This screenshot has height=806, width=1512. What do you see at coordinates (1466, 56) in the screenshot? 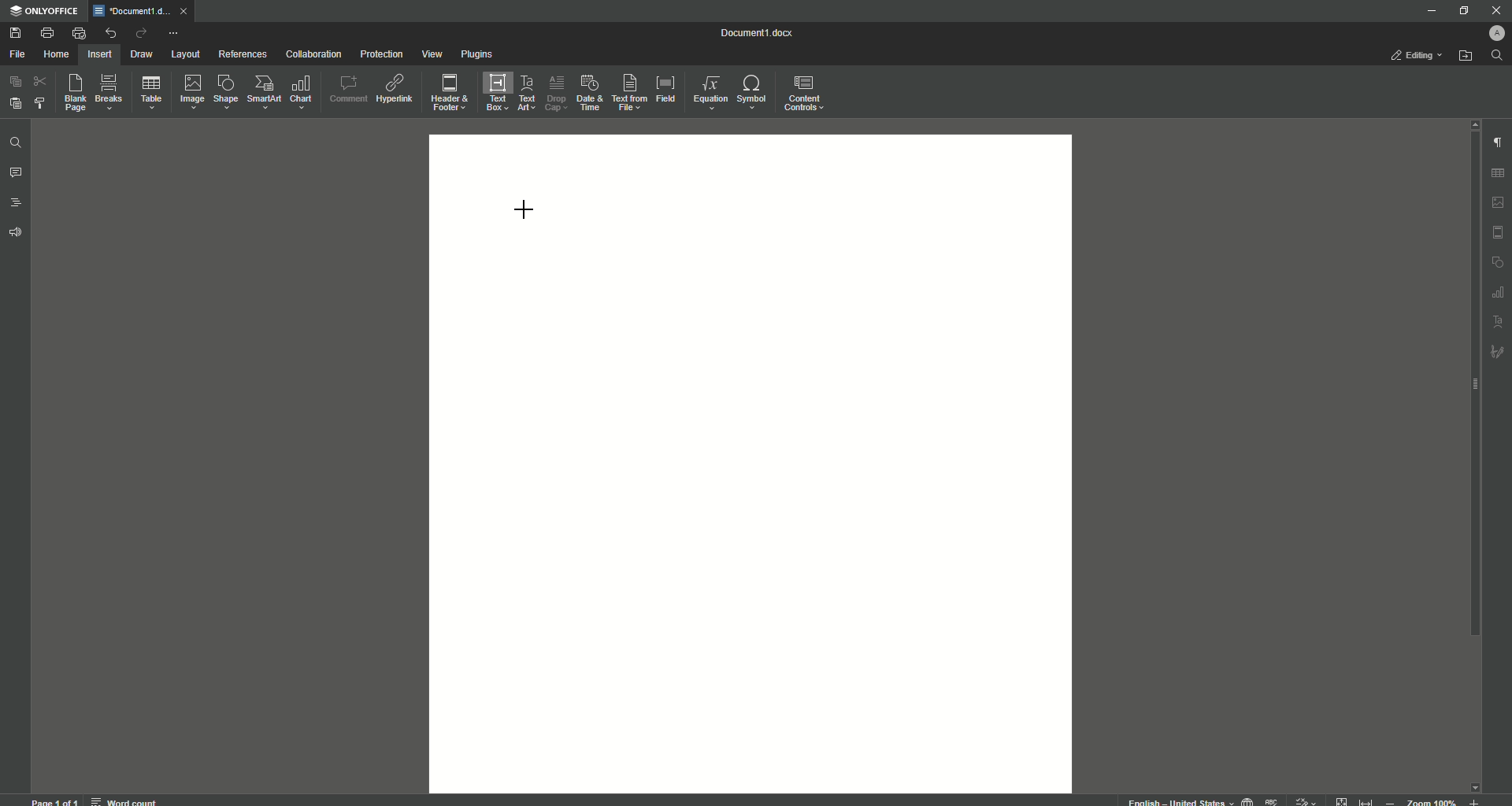
I see `Open From File` at bounding box center [1466, 56].